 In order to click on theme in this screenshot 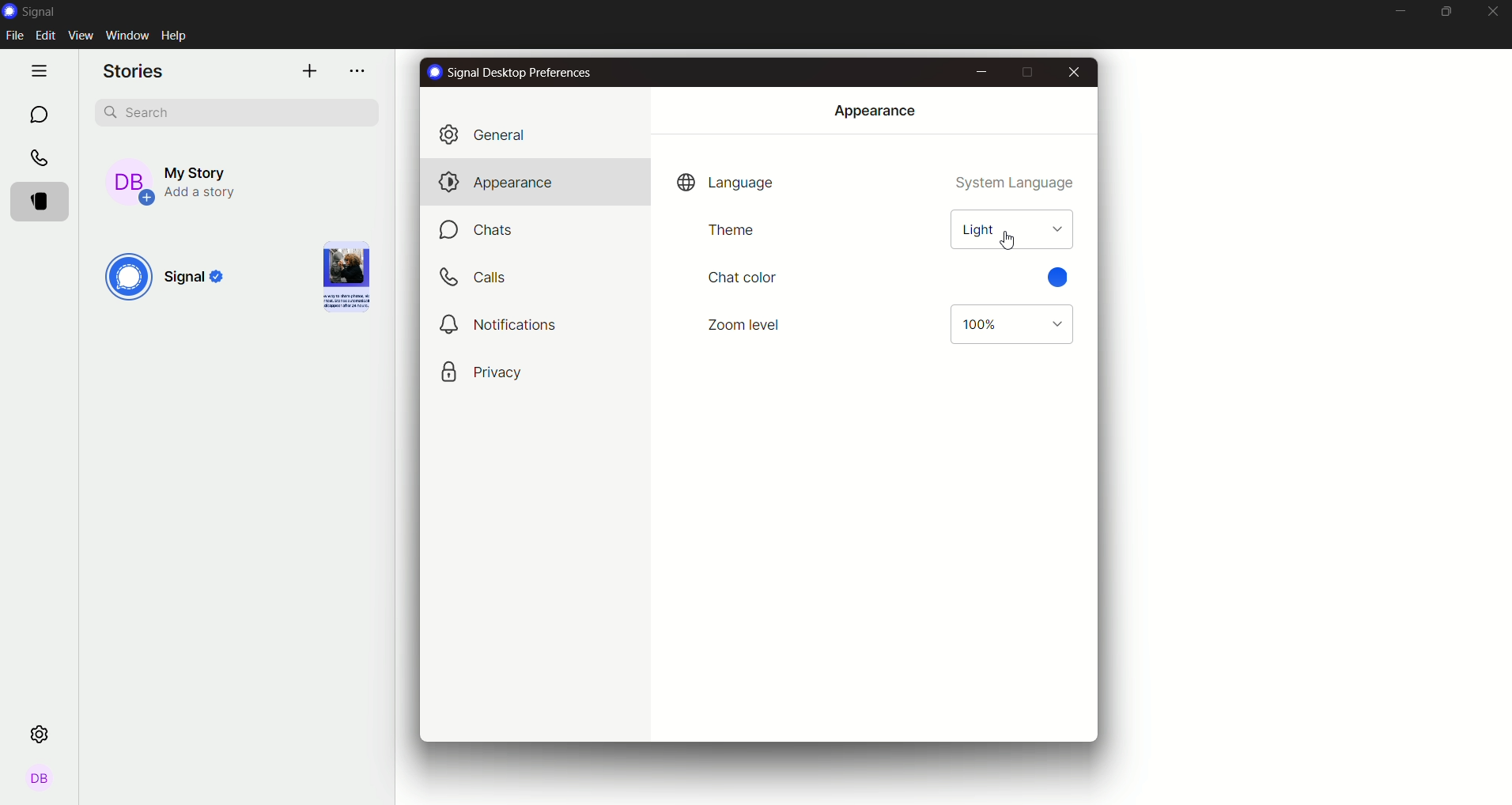, I will do `click(730, 230)`.